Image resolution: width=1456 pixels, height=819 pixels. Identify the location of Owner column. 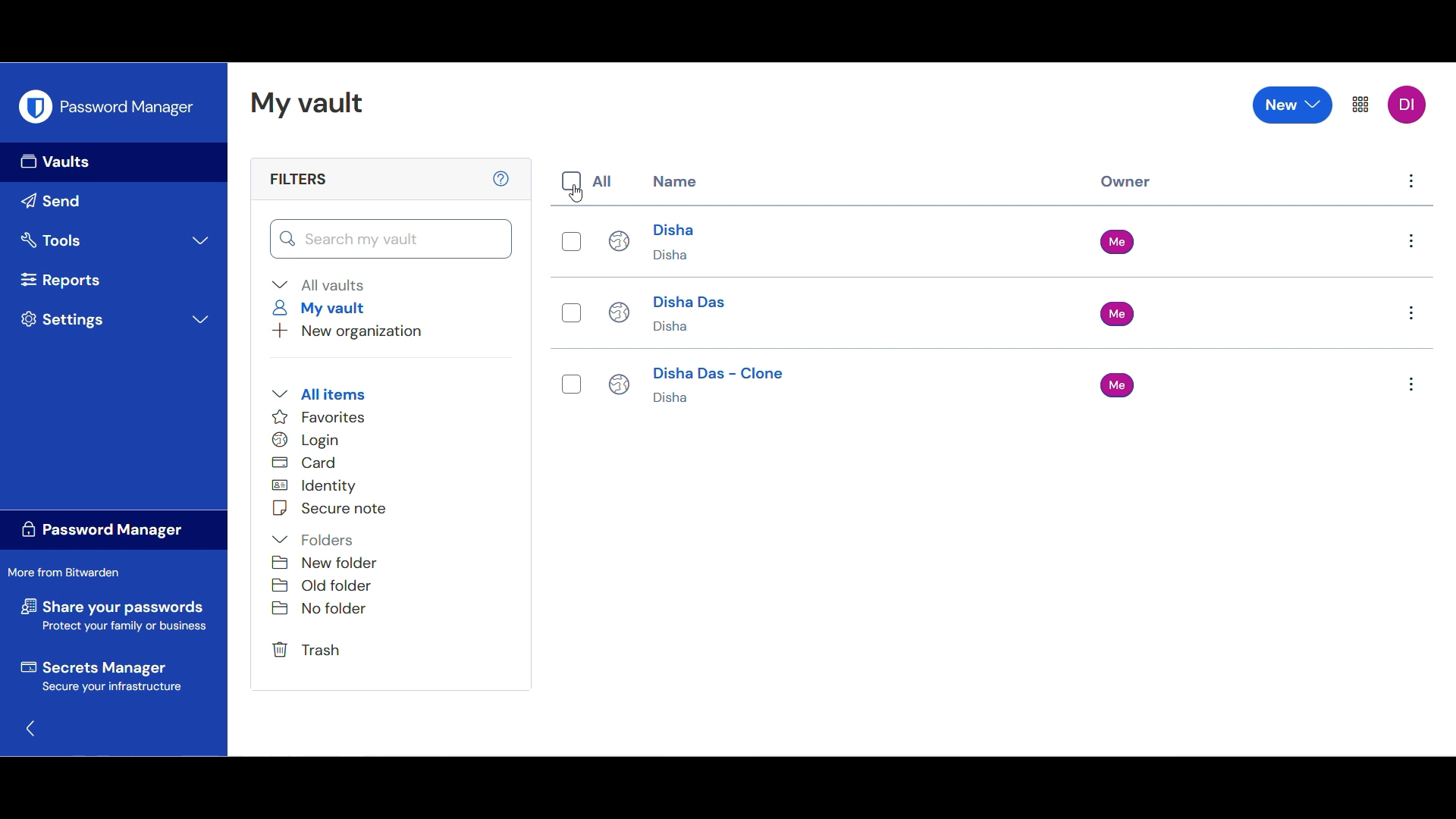
(1126, 183).